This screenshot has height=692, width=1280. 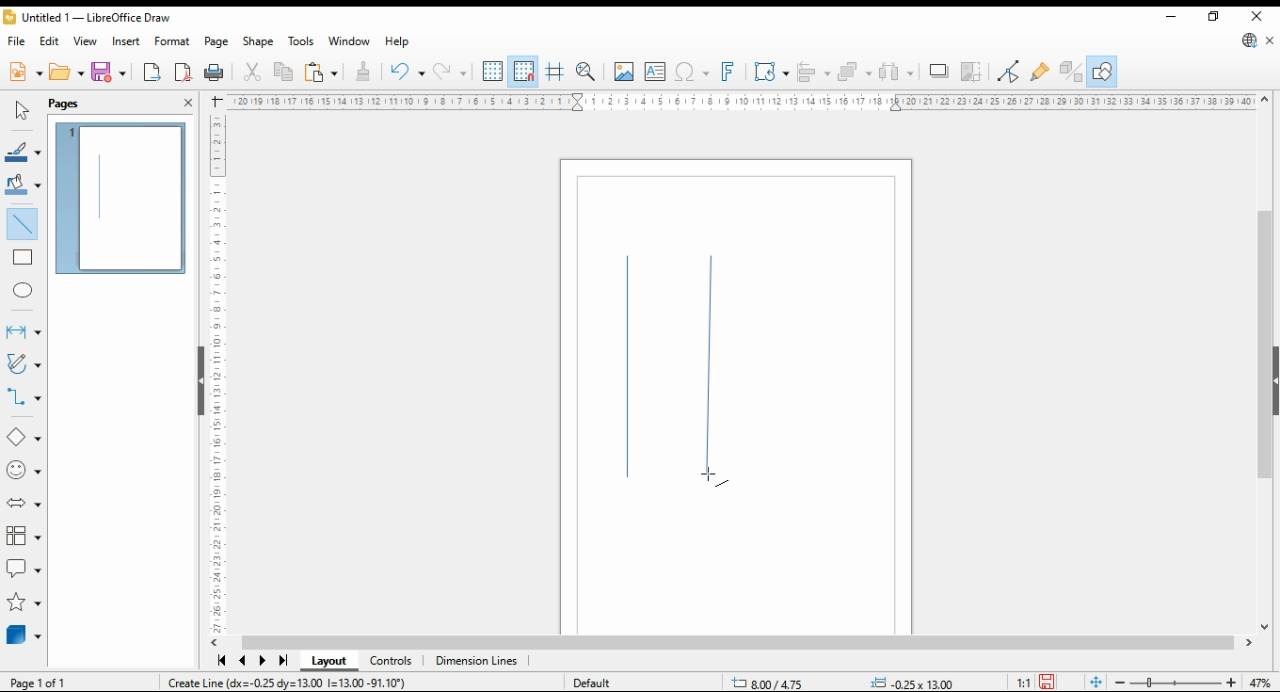 What do you see at coordinates (23, 288) in the screenshot?
I see `ellipse` at bounding box center [23, 288].